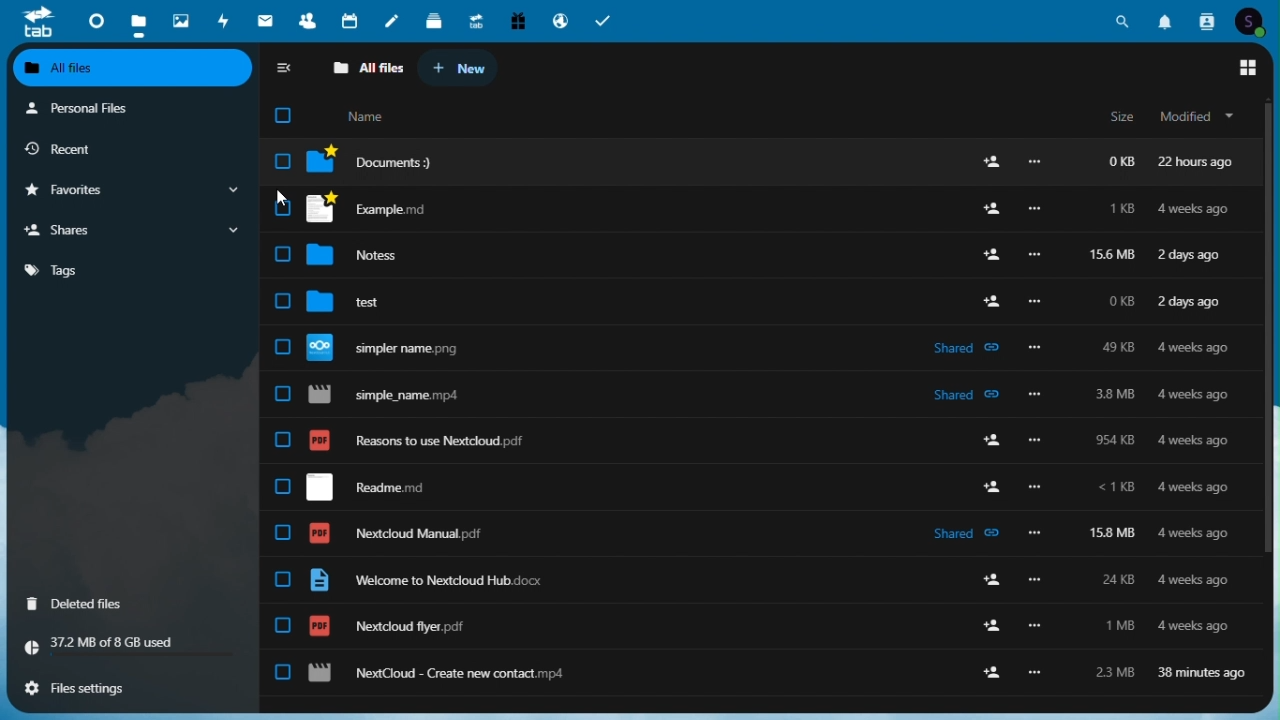 Image resolution: width=1280 pixels, height=720 pixels. I want to click on Recent, so click(101, 148).